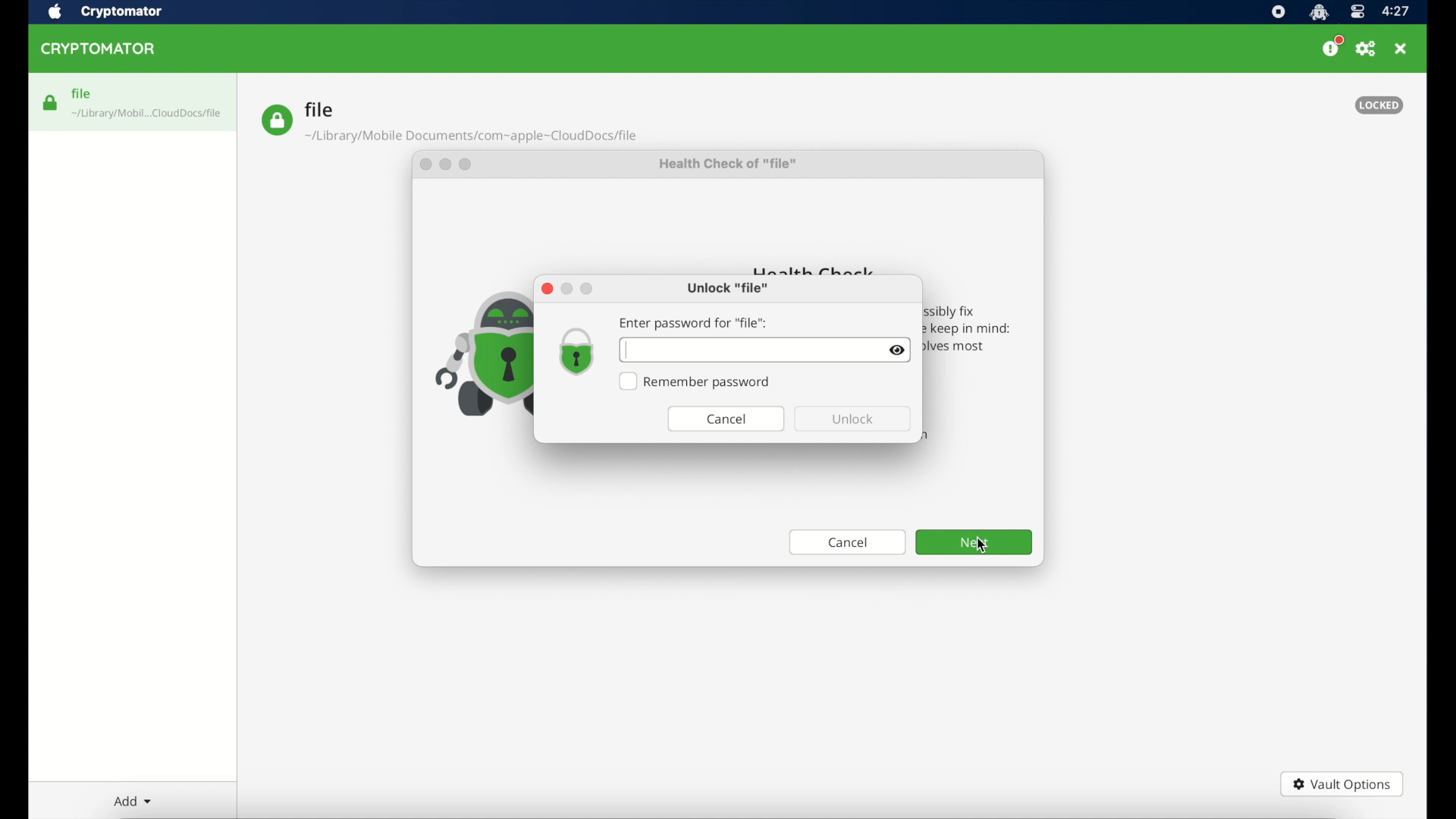  What do you see at coordinates (981, 548) in the screenshot?
I see `cursor` at bounding box center [981, 548].